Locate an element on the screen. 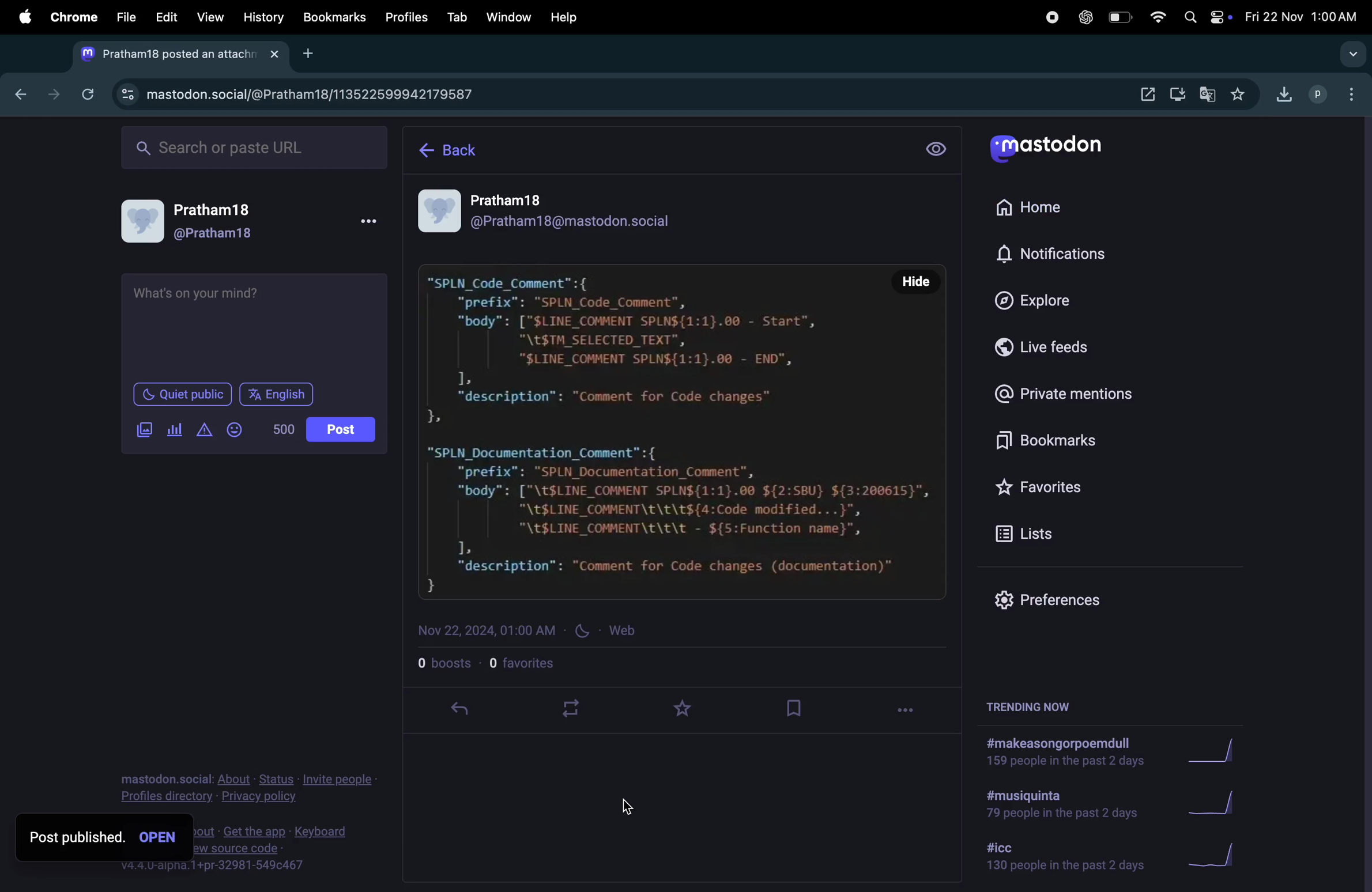 The width and height of the screenshot is (1372, 892). graphs is located at coordinates (1217, 752).